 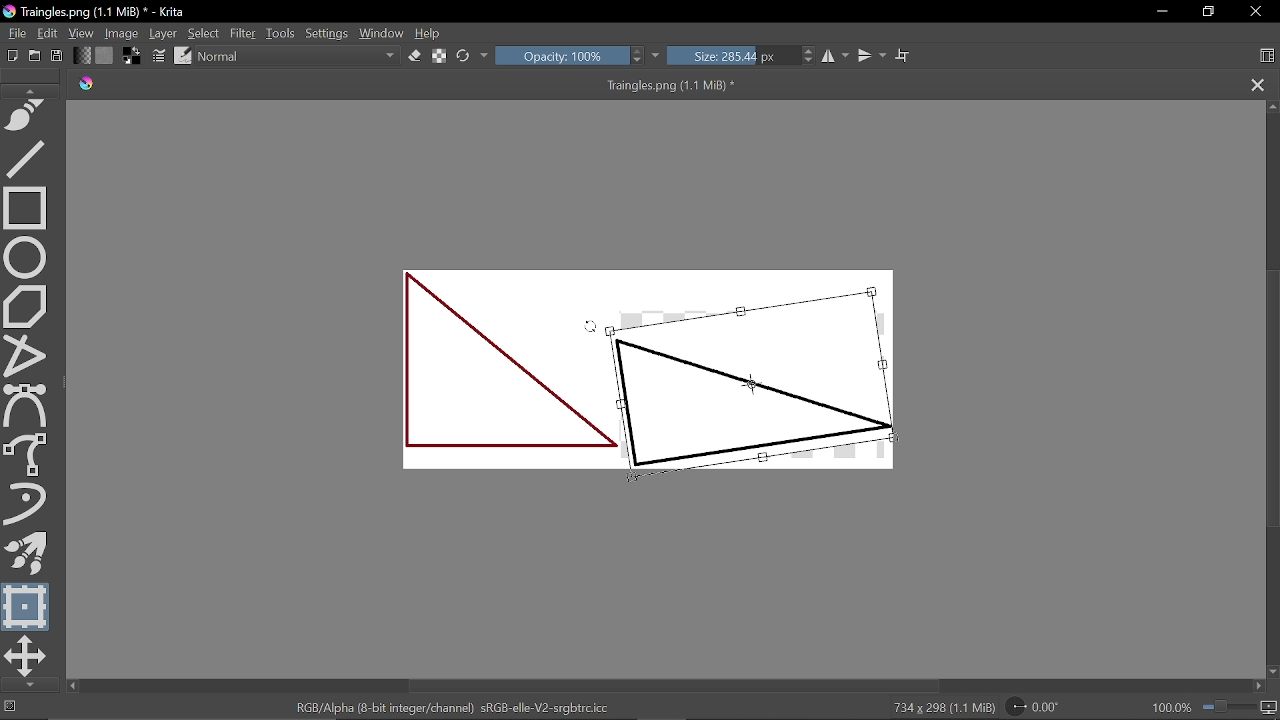 What do you see at coordinates (441, 56) in the screenshot?
I see `Preserve alpha` at bounding box center [441, 56].